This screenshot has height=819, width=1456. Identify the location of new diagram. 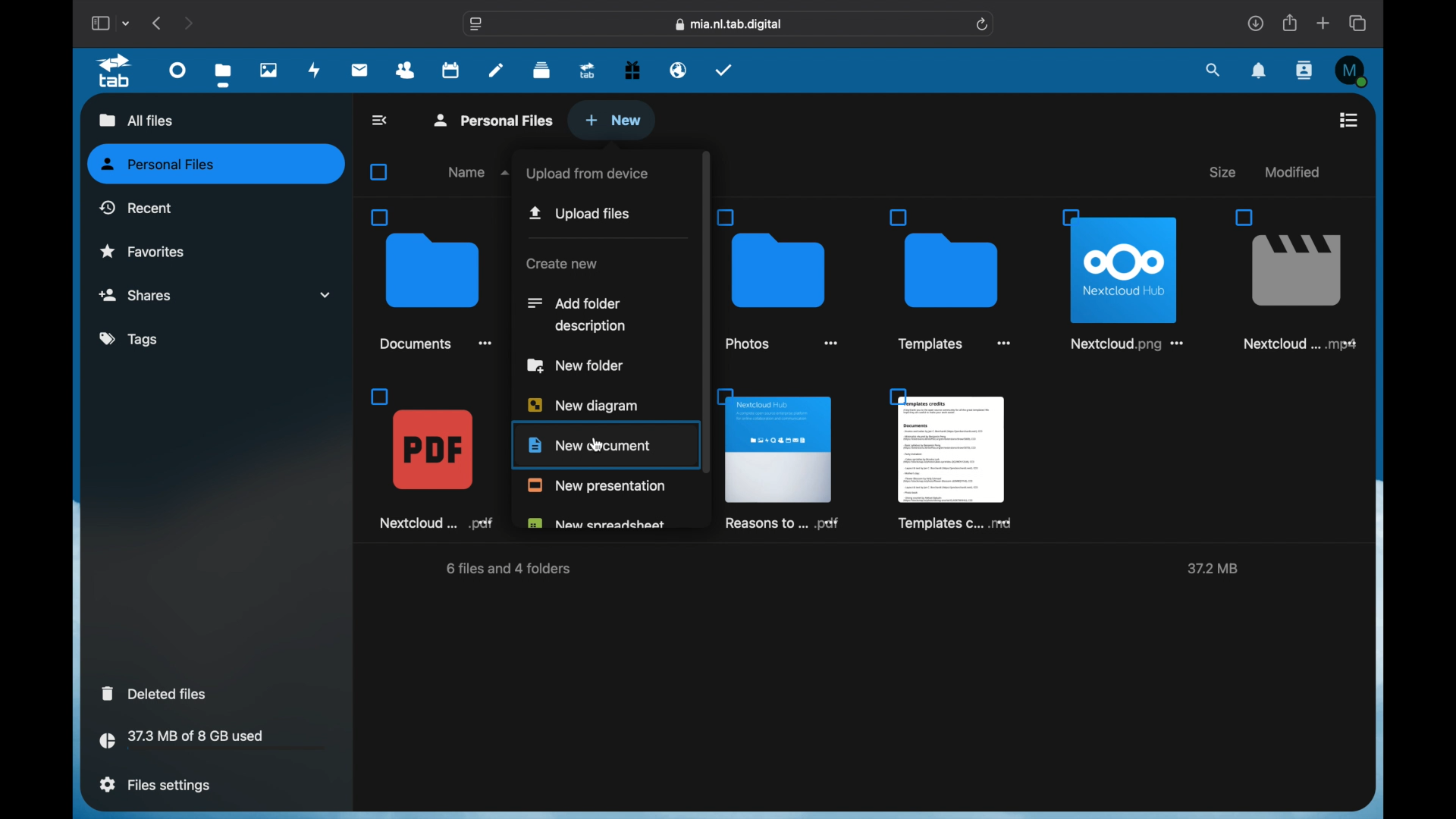
(584, 403).